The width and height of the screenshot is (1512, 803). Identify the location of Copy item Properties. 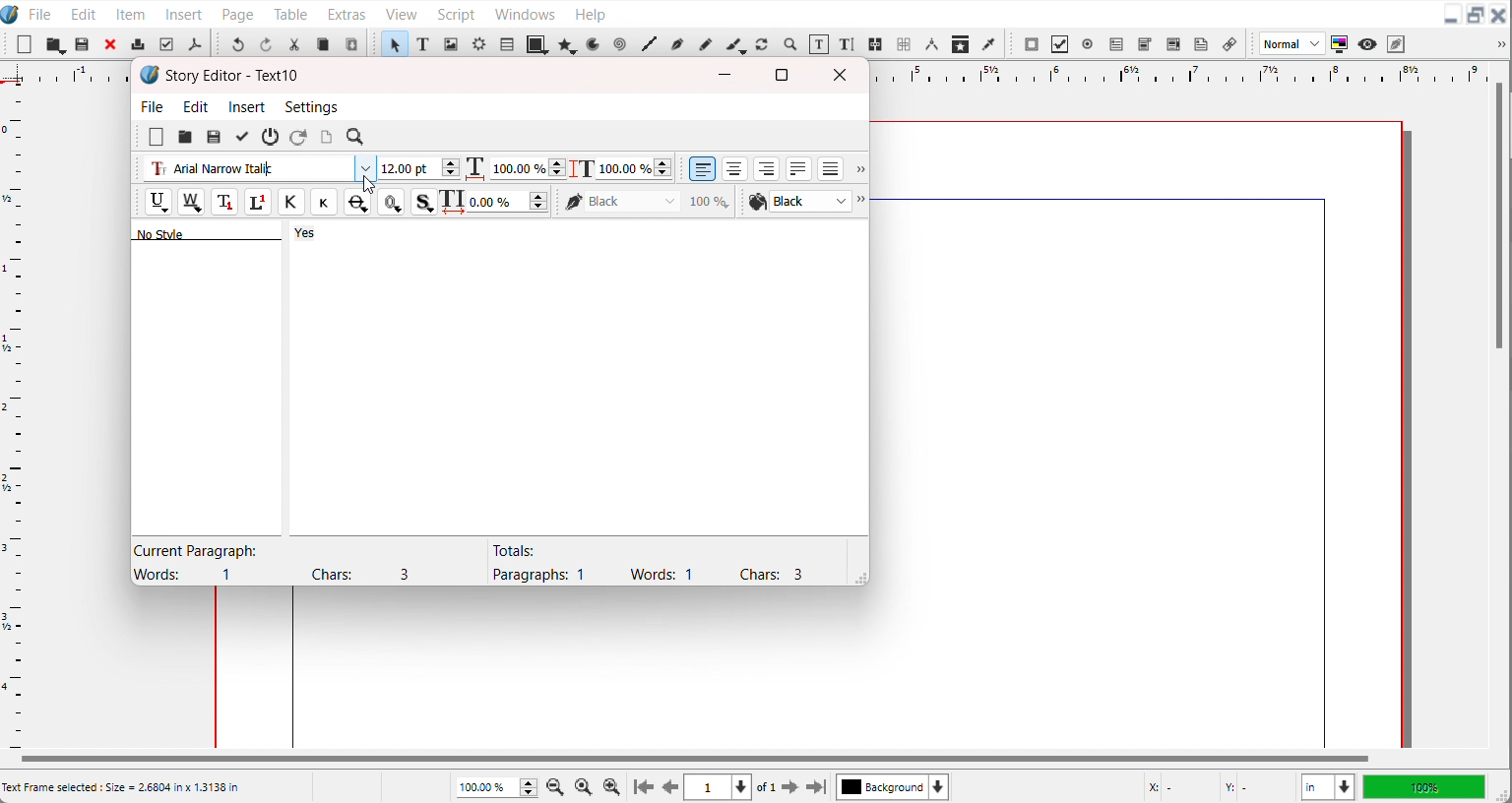
(961, 43).